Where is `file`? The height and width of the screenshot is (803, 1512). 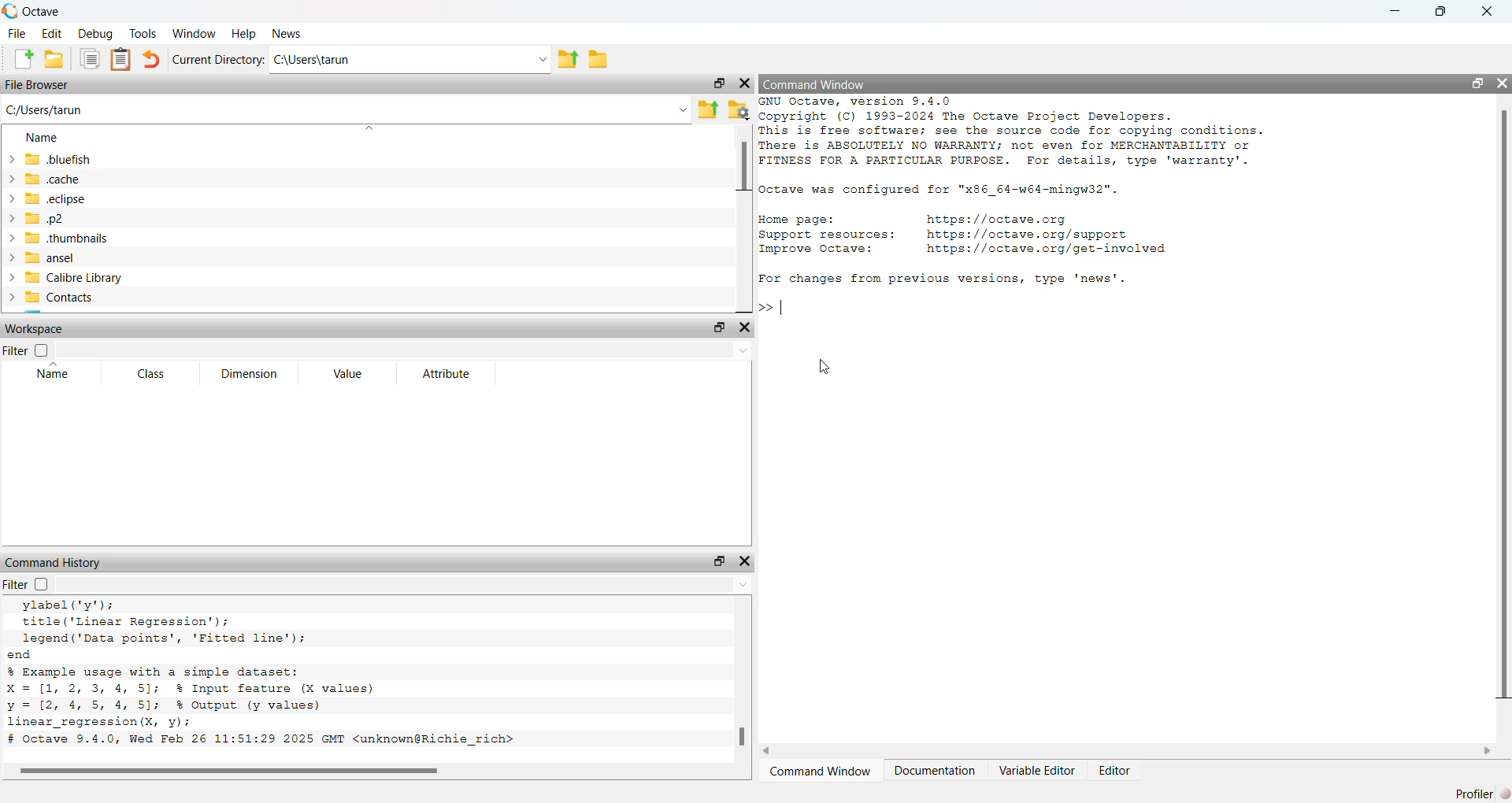 file is located at coordinates (16, 31).